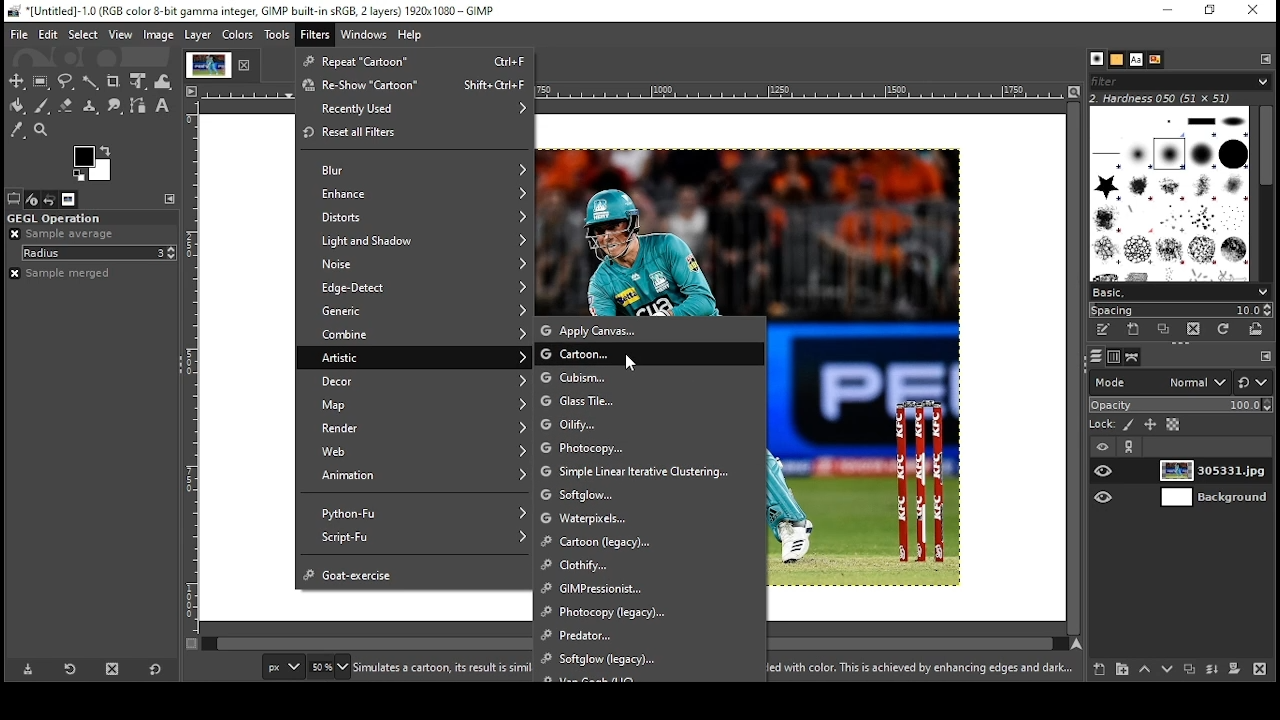 This screenshot has width=1280, height=720. What do you see at coordinates (363, 35) in the screenshot?
I see `windows` at bounding box center [363, 35].